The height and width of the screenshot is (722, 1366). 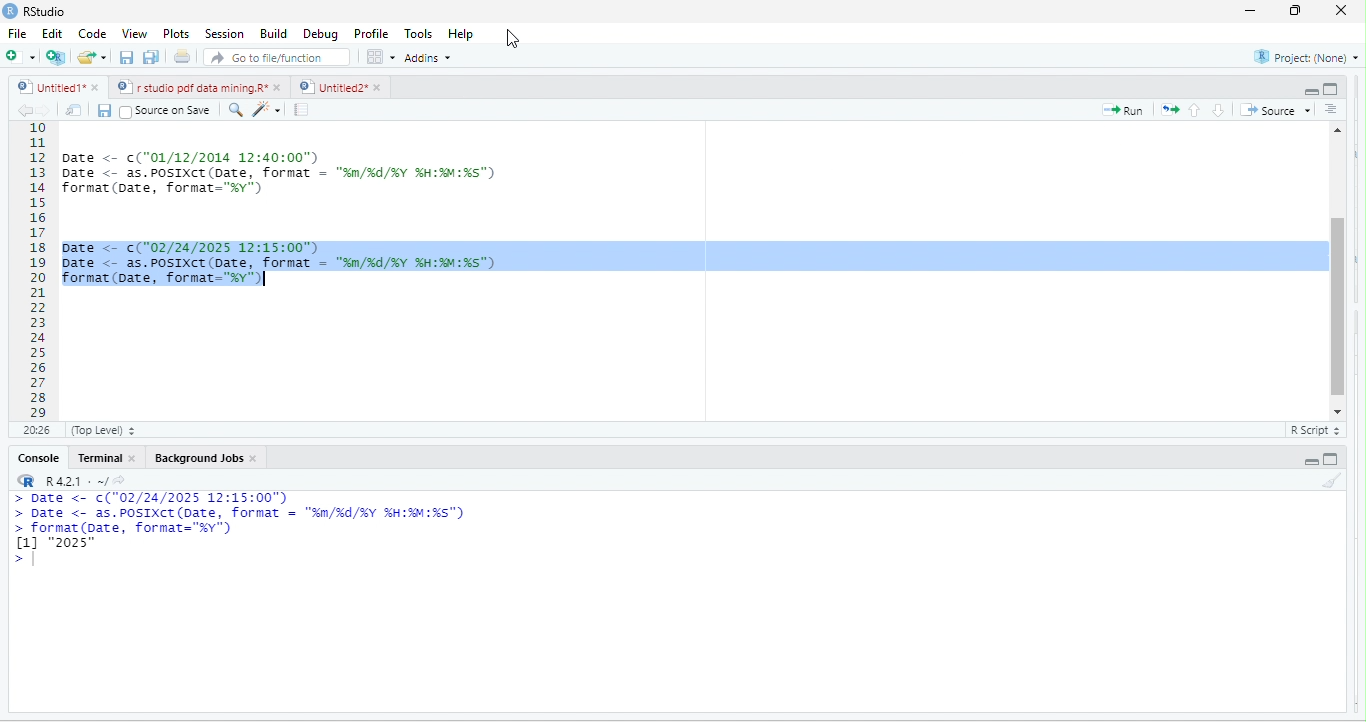 What do you see at coordinates (100, 433) in the screenshot?
I see `(Top Level) ` at bounding box center [100, 433].